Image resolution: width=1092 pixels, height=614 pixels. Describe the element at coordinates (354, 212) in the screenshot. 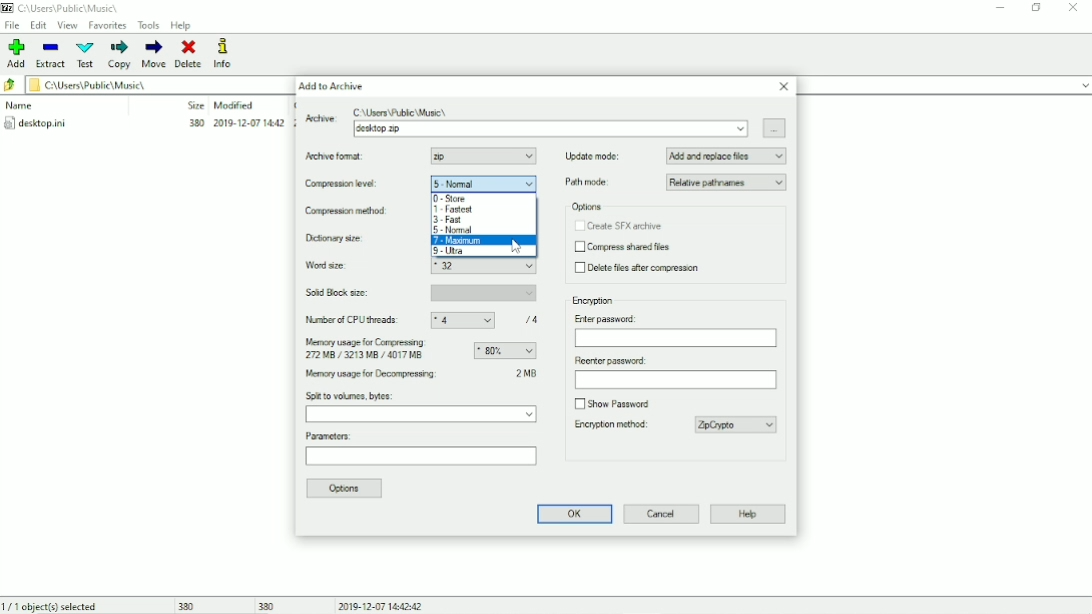

I see `Compression method` at that location.